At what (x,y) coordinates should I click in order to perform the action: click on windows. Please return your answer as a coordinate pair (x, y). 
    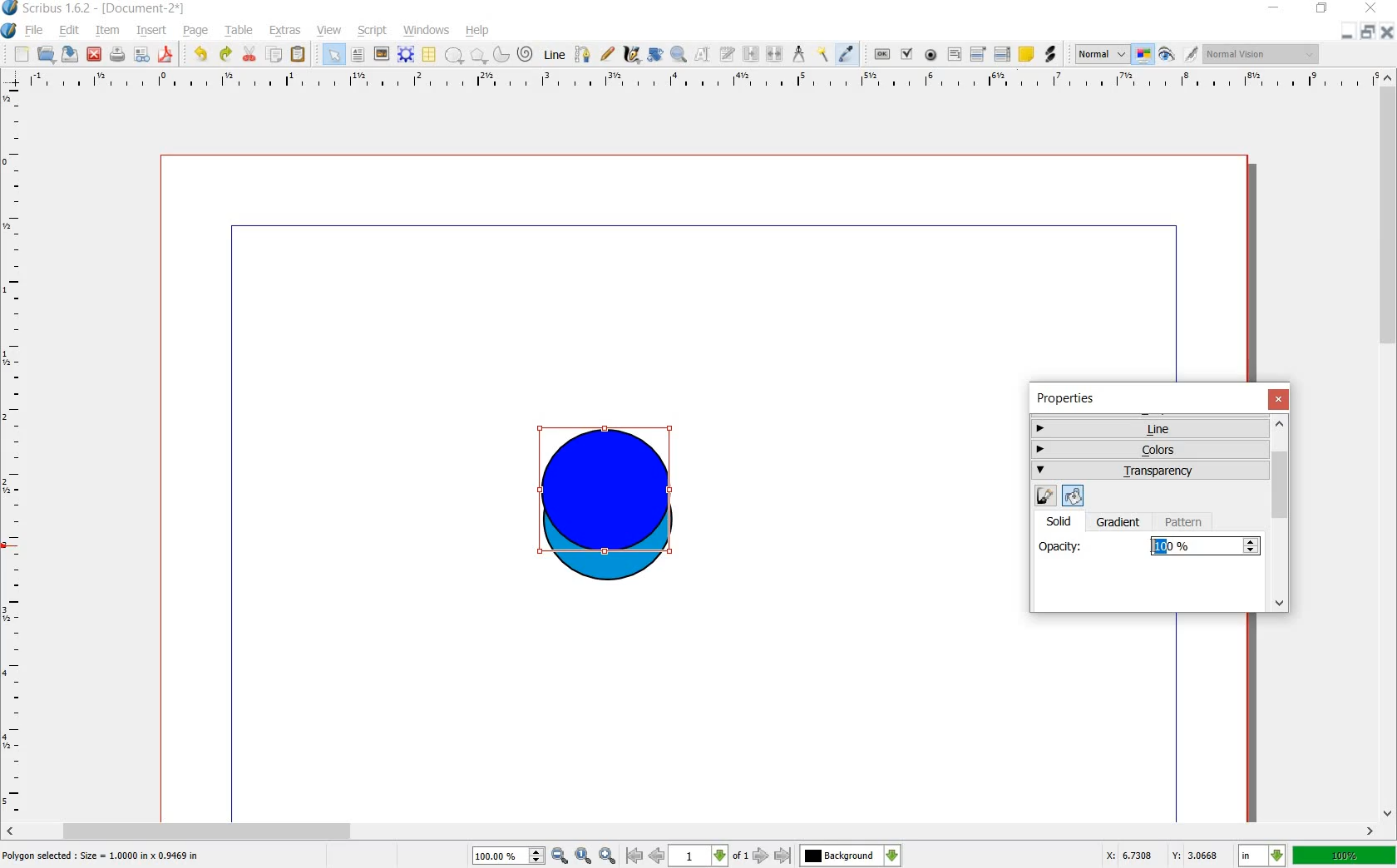
    Looking at the image, I should click on (426, 31).